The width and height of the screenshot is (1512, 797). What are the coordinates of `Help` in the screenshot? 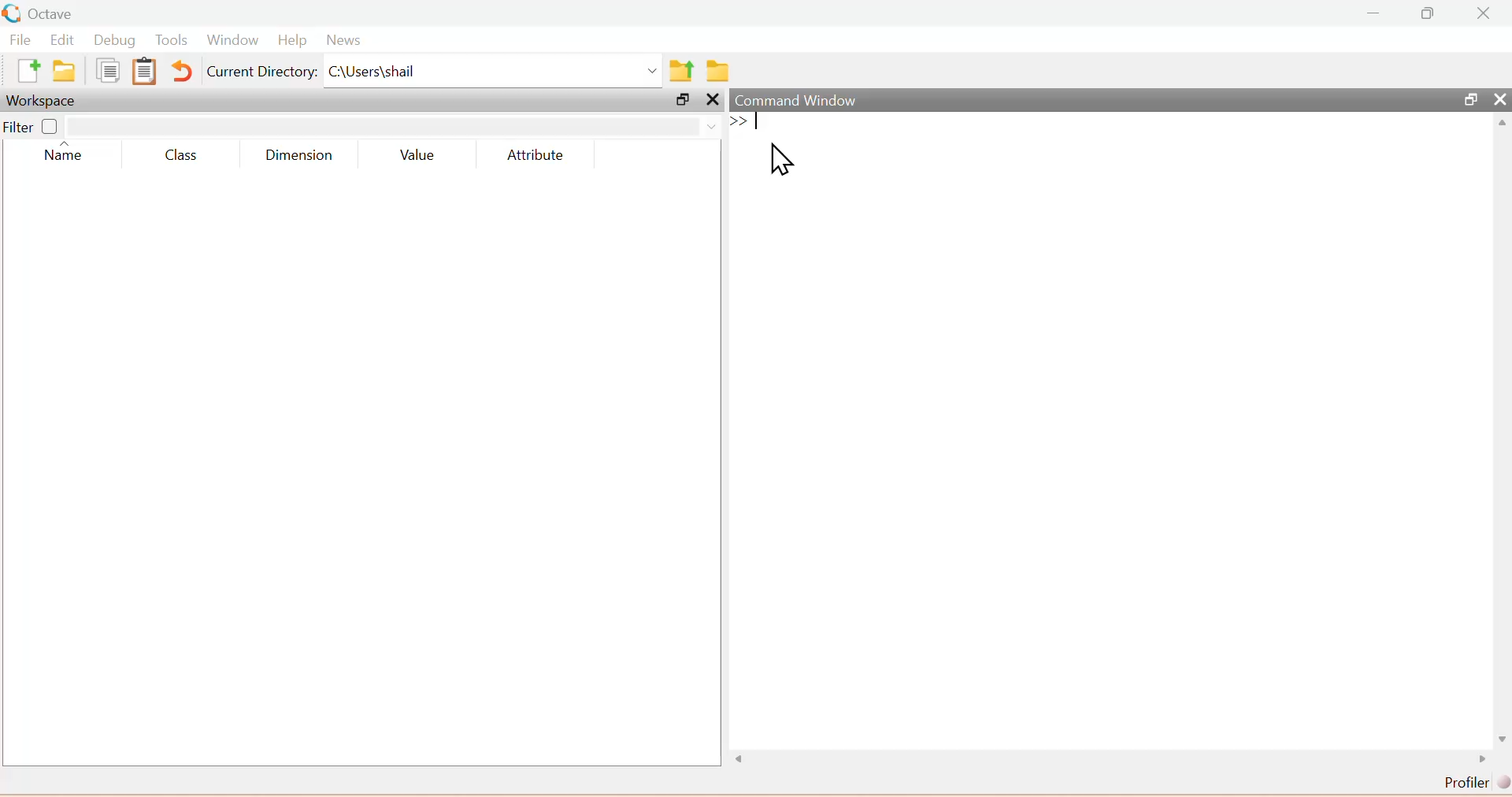 It's located at (291, 42).